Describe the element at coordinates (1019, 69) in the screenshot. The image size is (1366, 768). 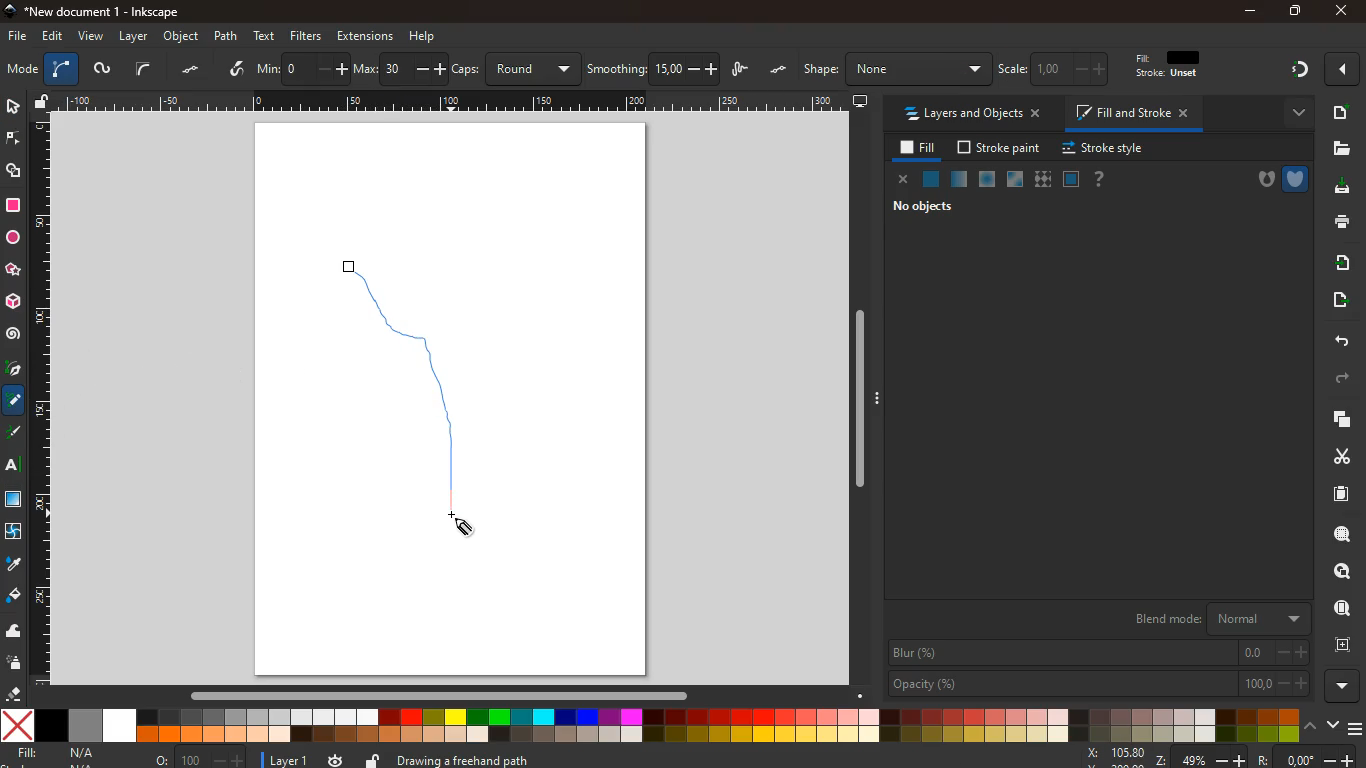
I see `edit` at that location.